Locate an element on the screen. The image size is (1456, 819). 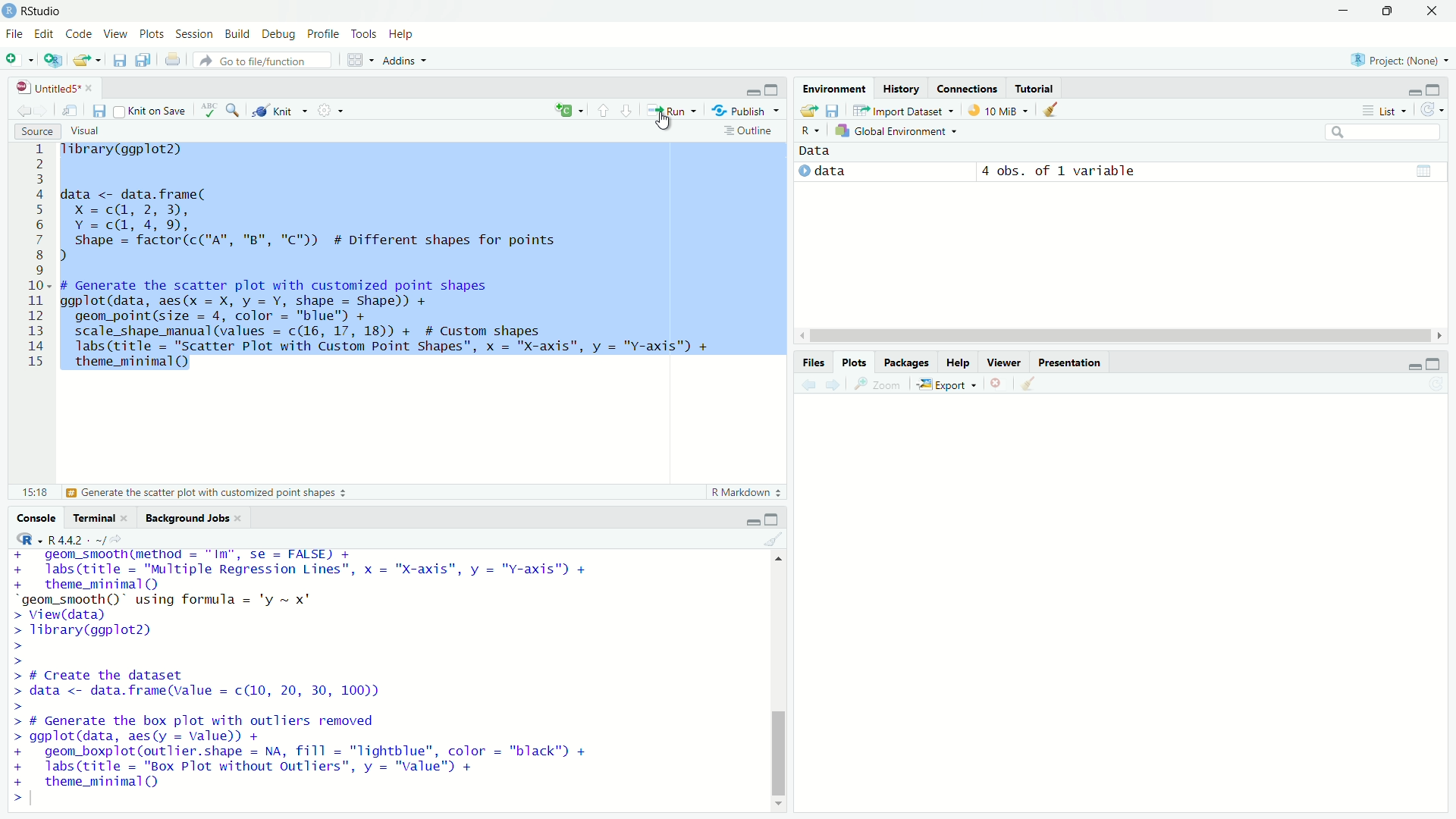
grid view is located at coordinates (1424, 171).